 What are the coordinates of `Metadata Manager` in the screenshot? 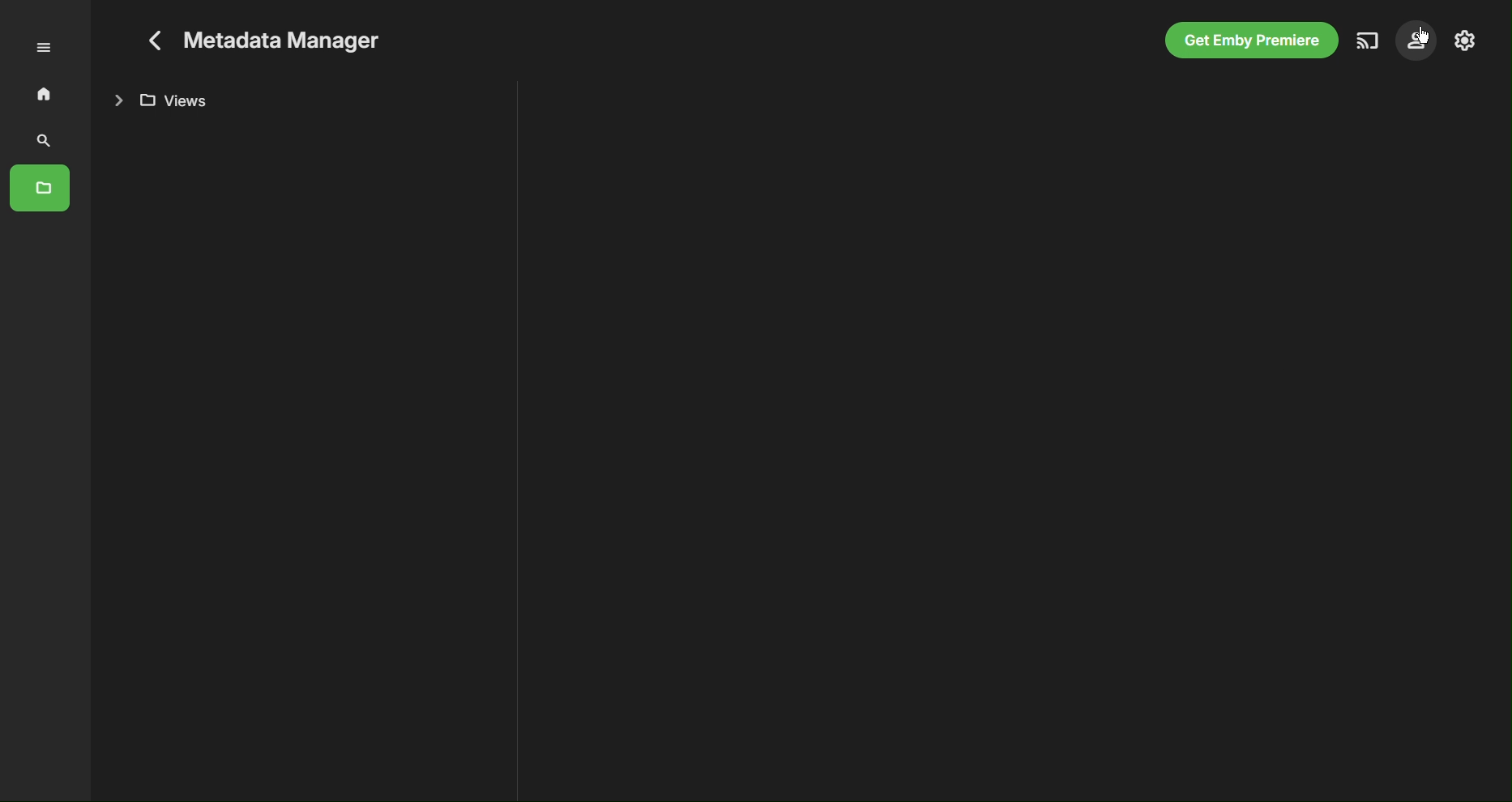 It's located at (270, 36).